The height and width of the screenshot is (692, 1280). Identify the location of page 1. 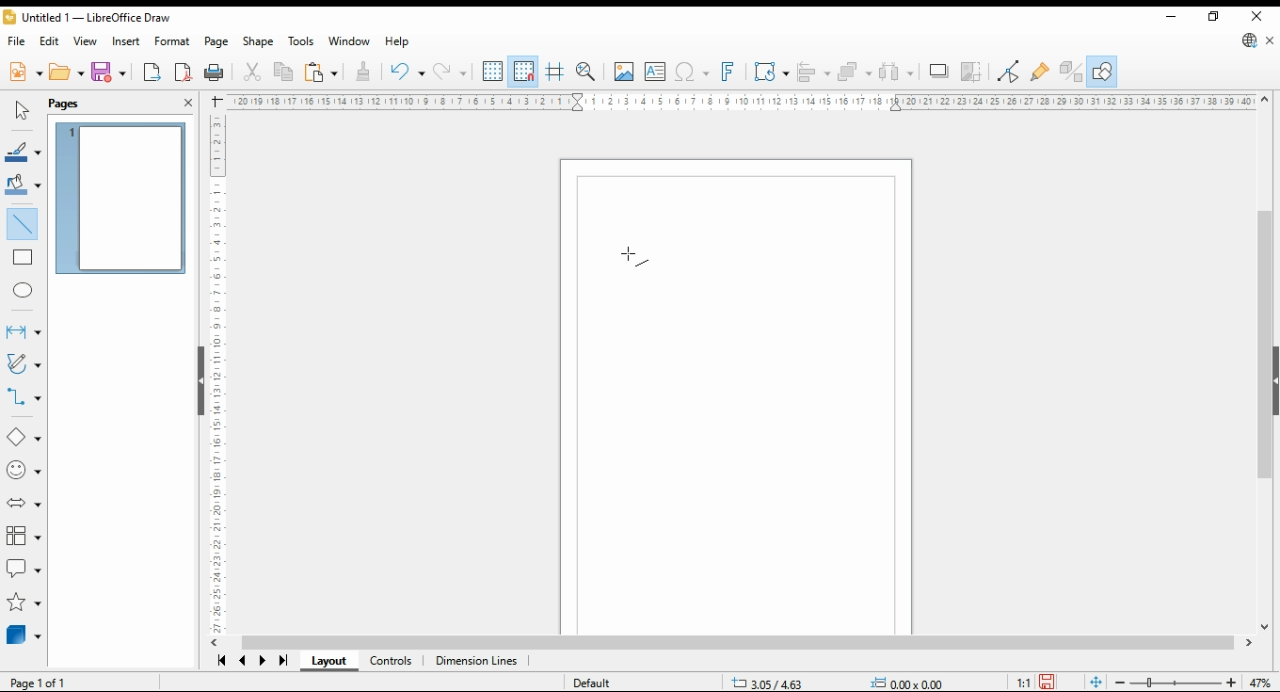
(123, 199).